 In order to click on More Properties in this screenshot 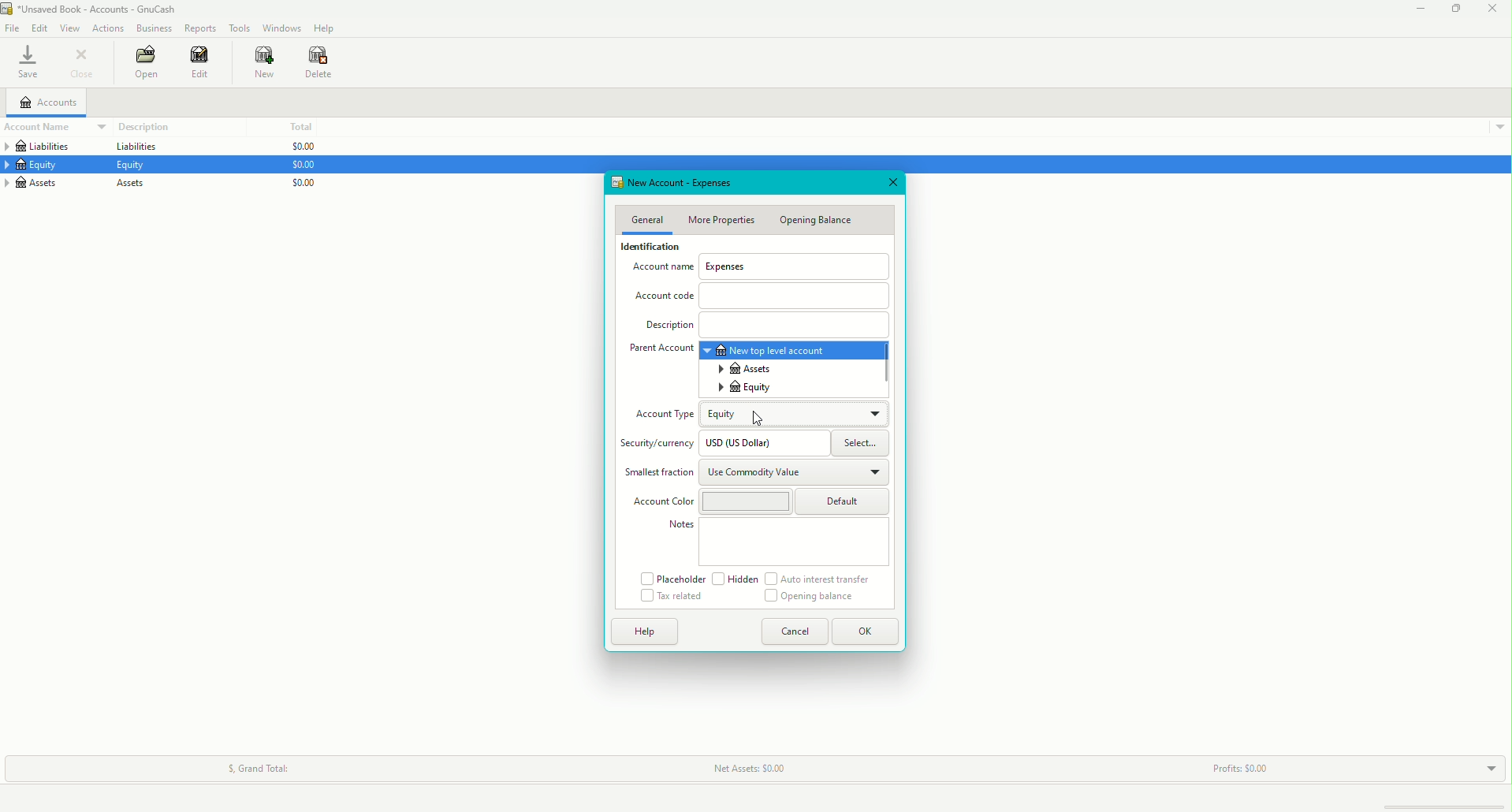, I will do `click(721, 219)`.